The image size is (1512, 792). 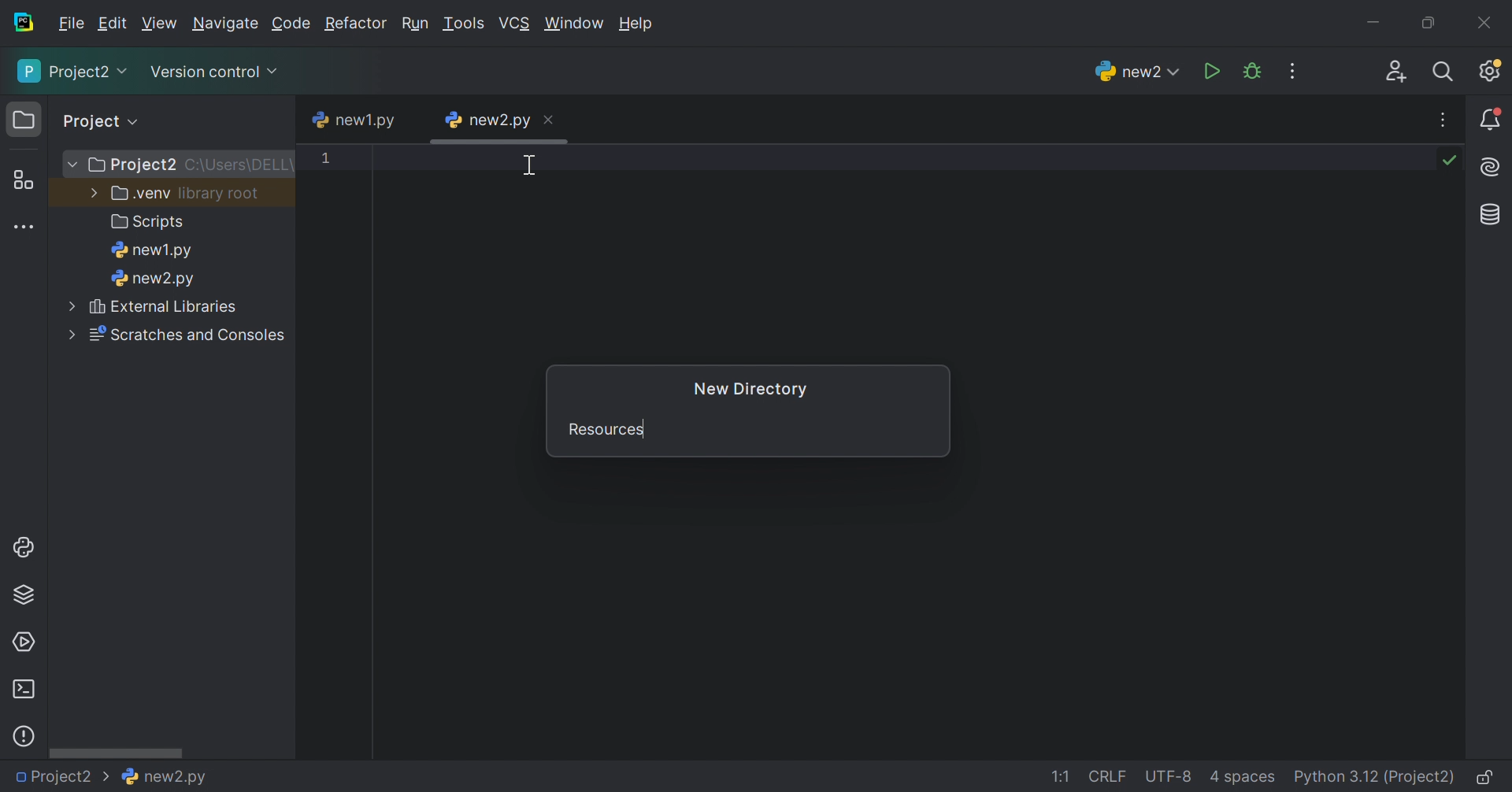 What do you see at coordinates (574, 23) in the screenshot?
I see `Window` at bounding box center [574, 23].